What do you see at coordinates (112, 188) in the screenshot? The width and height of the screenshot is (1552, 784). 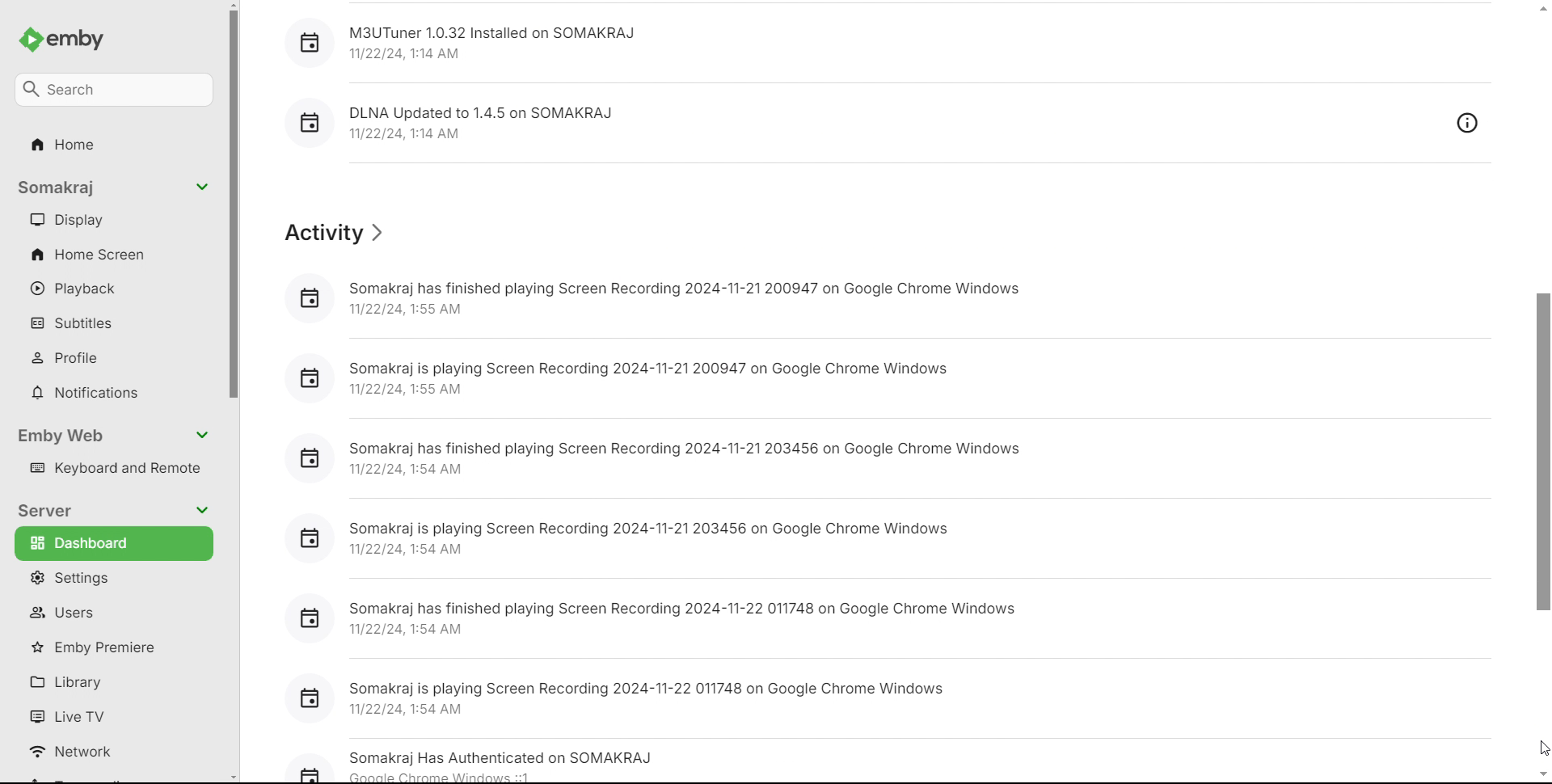 I see `somakraj` at bounding box center [112, 188].